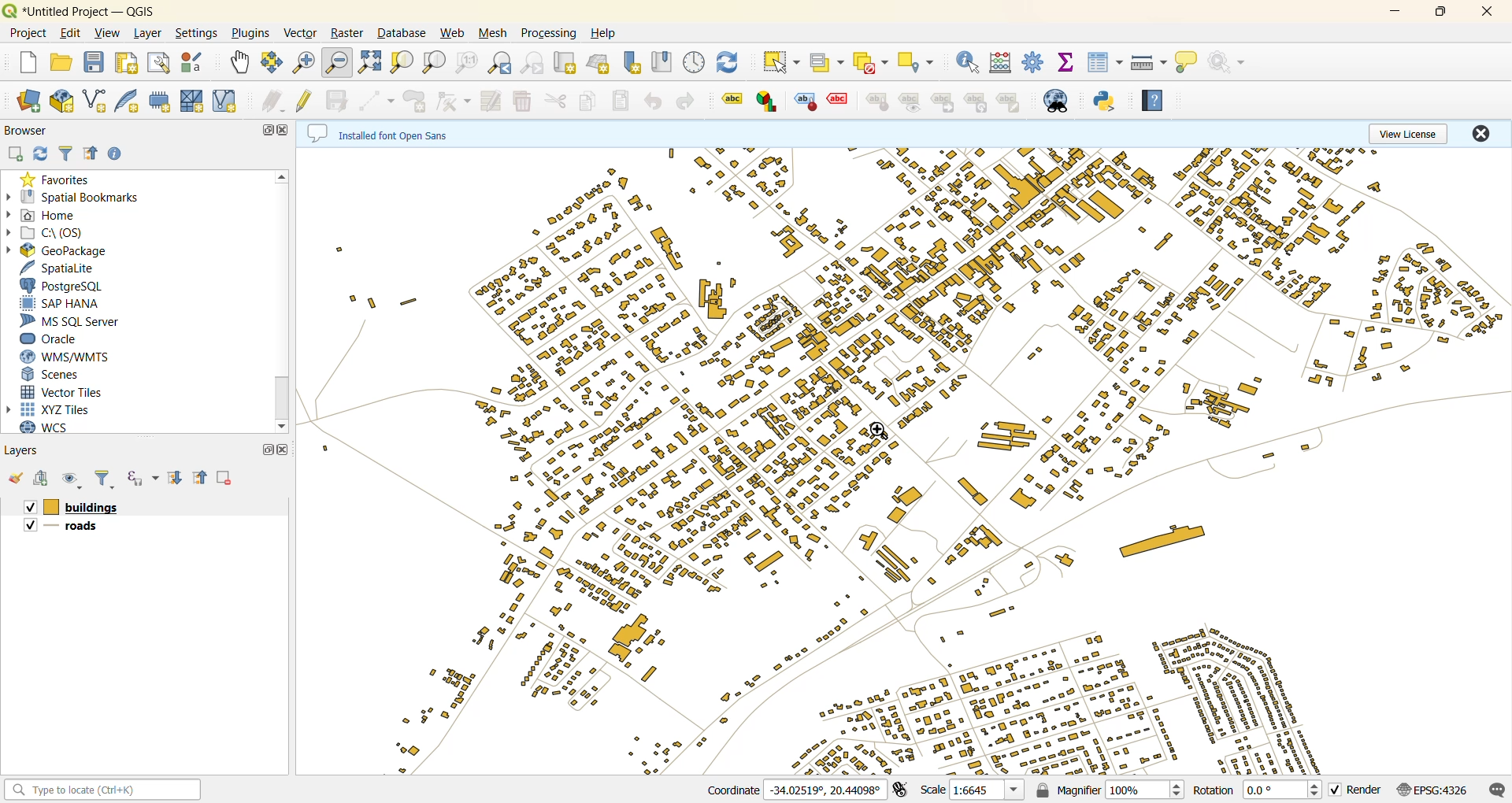  Describe the element at coordinates (78, 198) in the screenshot. I see `spatial bookmarks` at that location.